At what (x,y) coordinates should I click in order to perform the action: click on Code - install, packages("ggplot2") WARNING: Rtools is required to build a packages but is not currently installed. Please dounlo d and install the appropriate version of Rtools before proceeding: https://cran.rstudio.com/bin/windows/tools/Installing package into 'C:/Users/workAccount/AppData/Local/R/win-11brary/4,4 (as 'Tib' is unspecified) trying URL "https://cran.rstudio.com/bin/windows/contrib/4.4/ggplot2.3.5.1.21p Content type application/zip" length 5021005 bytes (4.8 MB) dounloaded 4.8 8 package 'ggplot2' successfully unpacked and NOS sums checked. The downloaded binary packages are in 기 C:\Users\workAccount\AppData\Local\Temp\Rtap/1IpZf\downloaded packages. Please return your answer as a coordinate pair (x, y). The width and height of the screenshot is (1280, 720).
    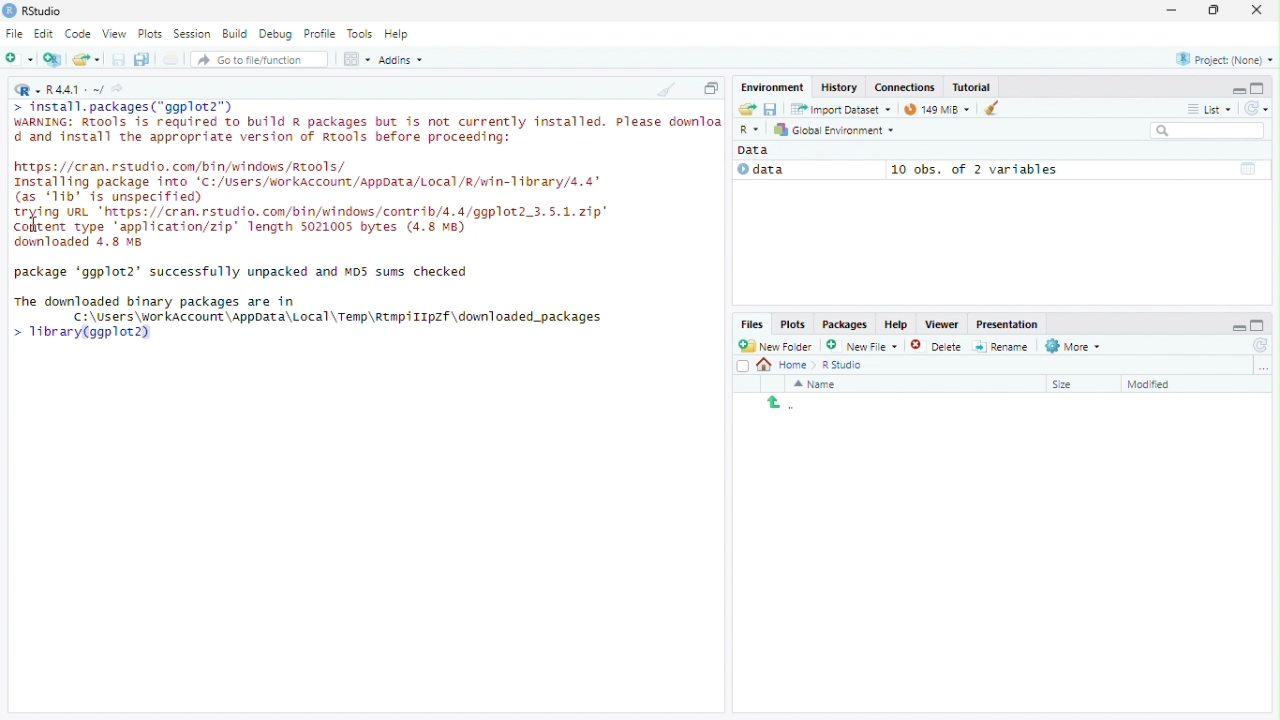
    Looking at the image, I should click on (365, 225).